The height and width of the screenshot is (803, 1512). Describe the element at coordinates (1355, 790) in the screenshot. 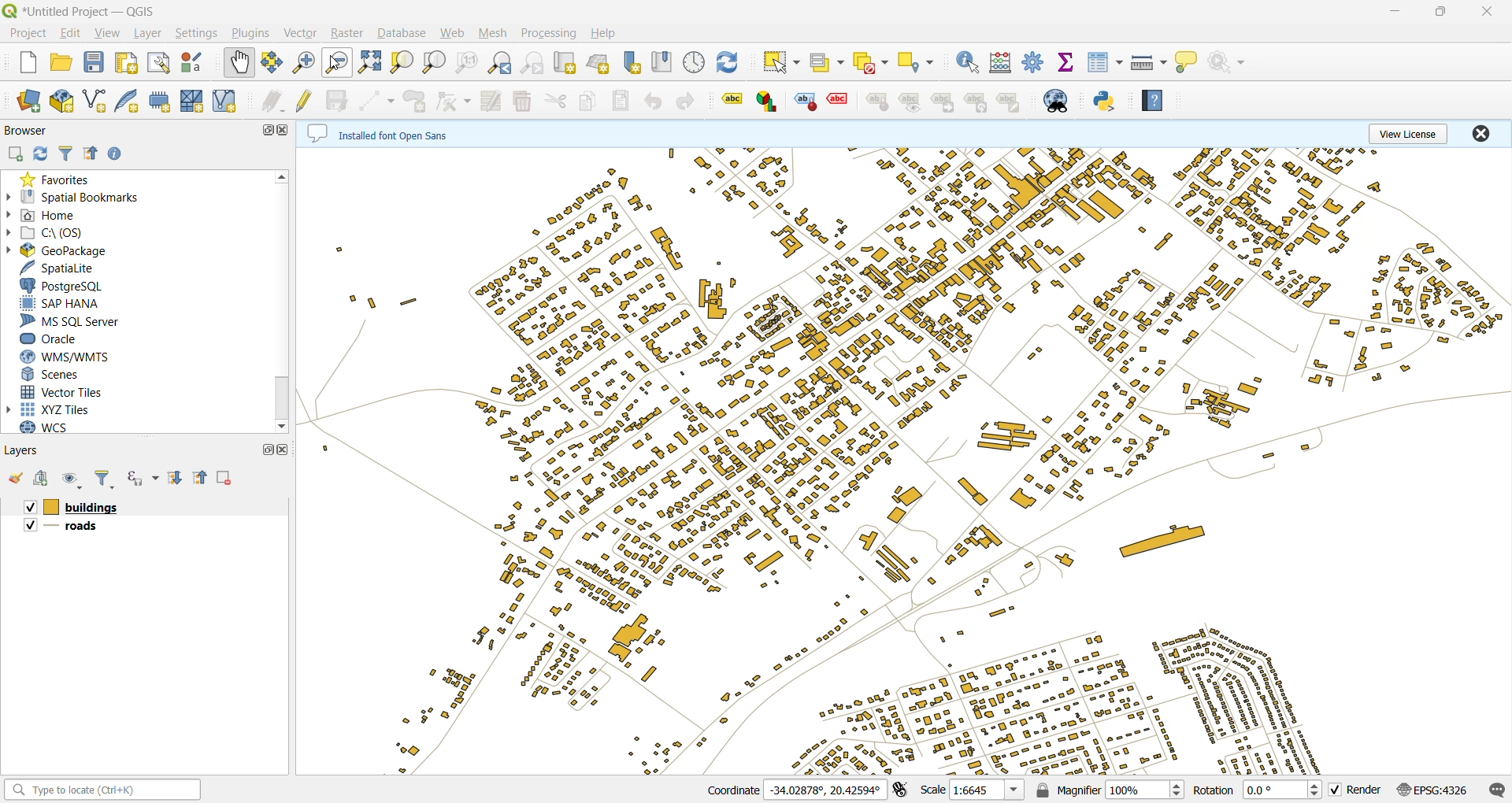

I see `render` at that location.